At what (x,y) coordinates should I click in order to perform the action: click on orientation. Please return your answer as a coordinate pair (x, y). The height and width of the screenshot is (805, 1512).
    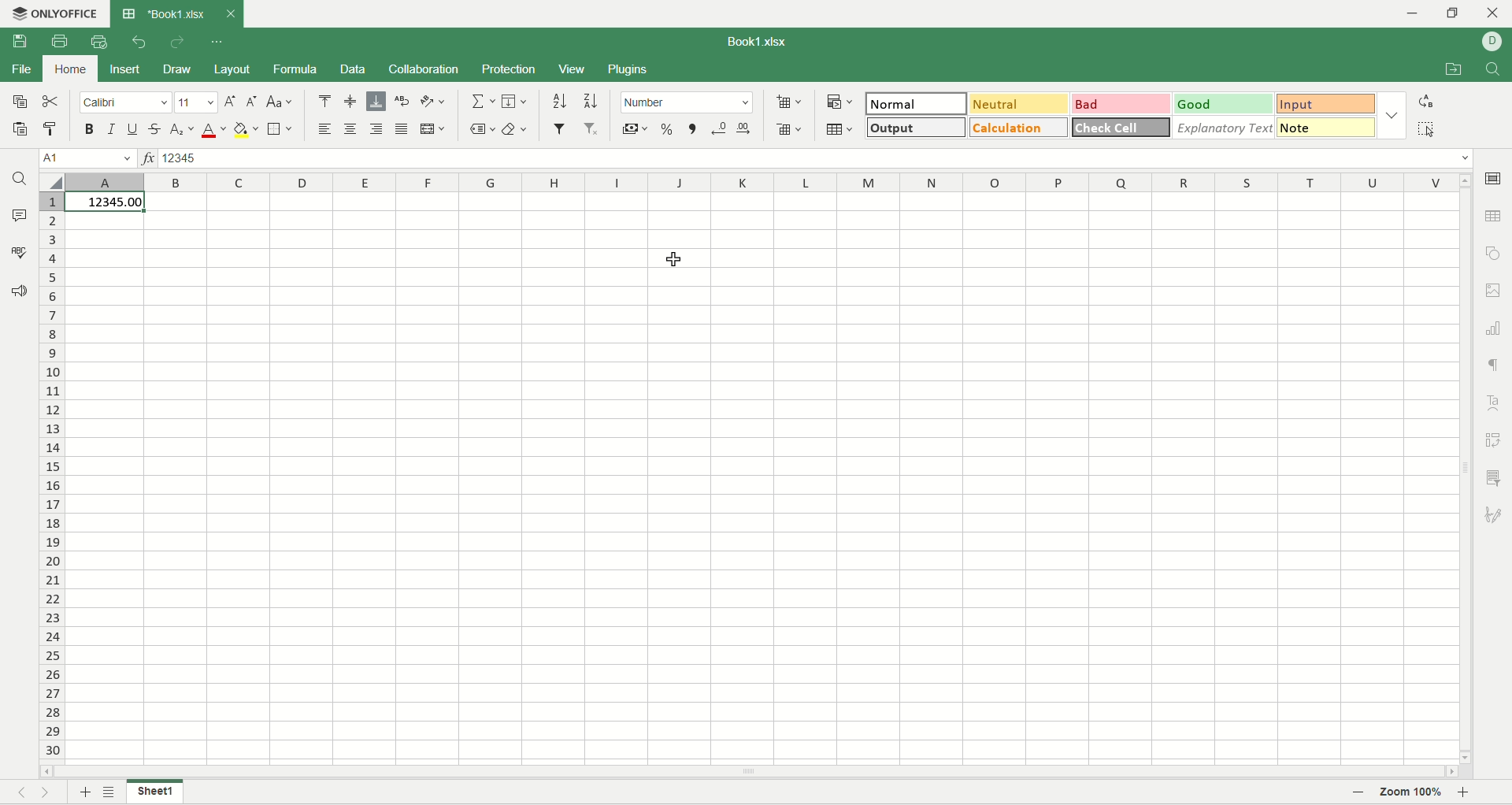
    Looking at the image, I should click on (430, 100).